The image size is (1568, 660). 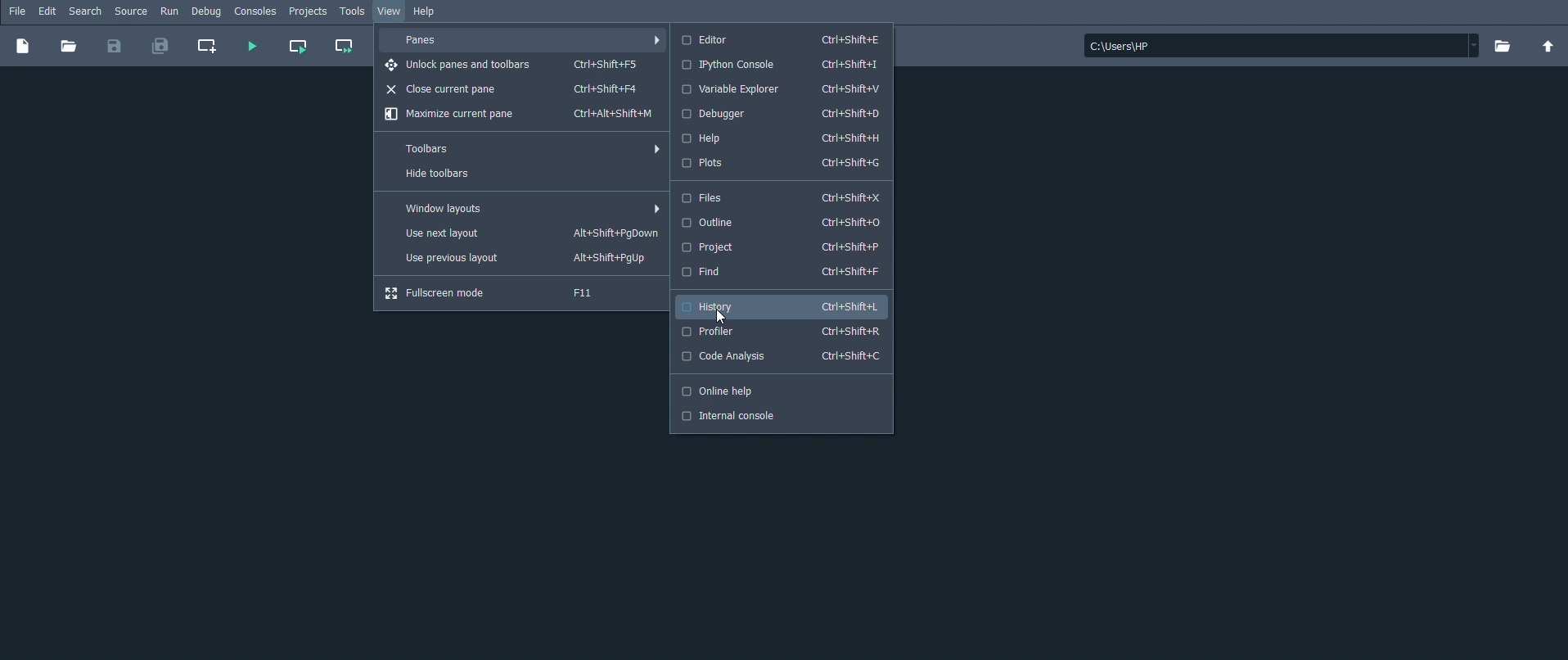 I want to click on Debugger, so click(x=786, y=114).